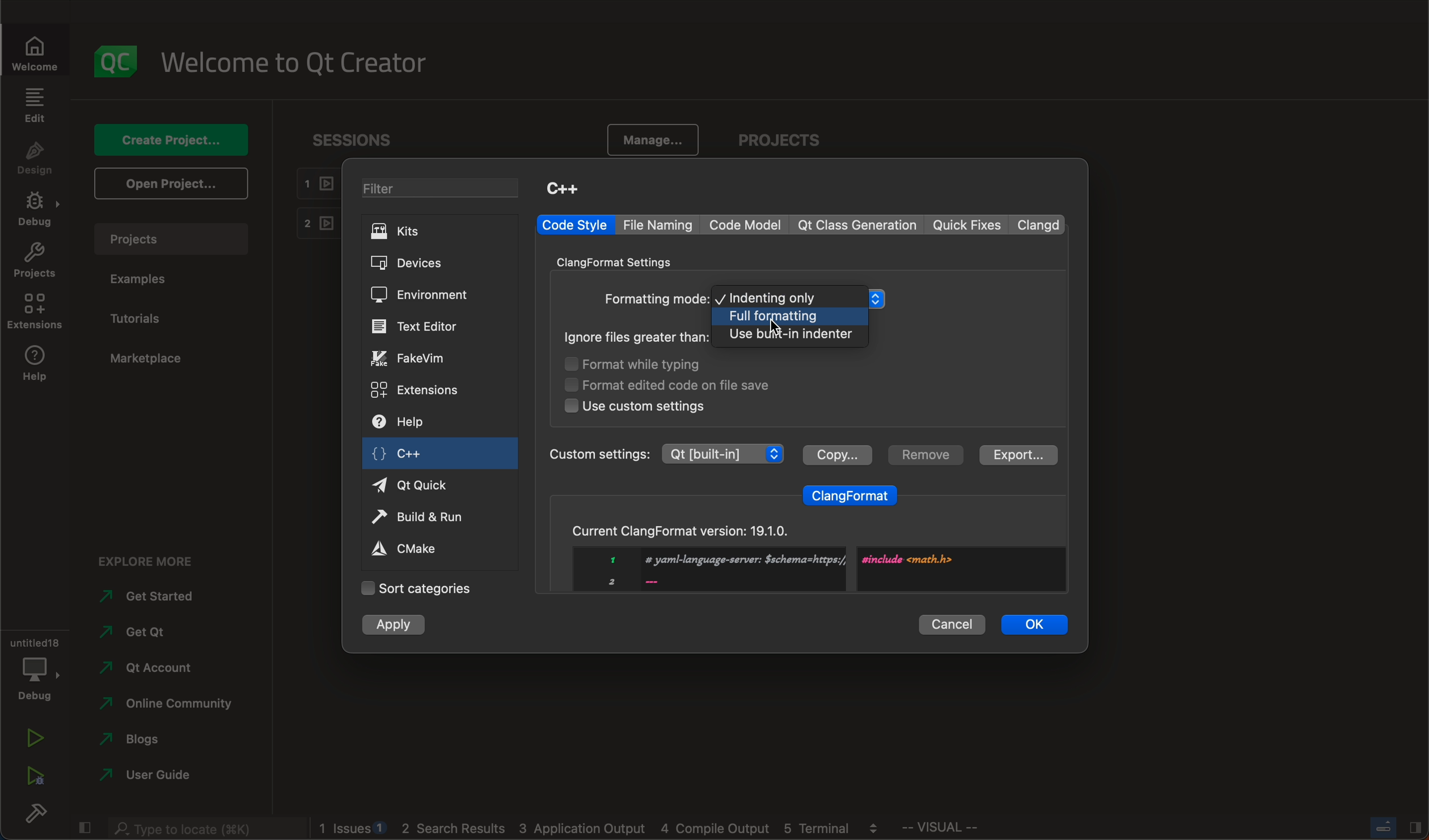 The width and height of the screenshot is (1429, 840). I want to click on editor, so click(417, 326).